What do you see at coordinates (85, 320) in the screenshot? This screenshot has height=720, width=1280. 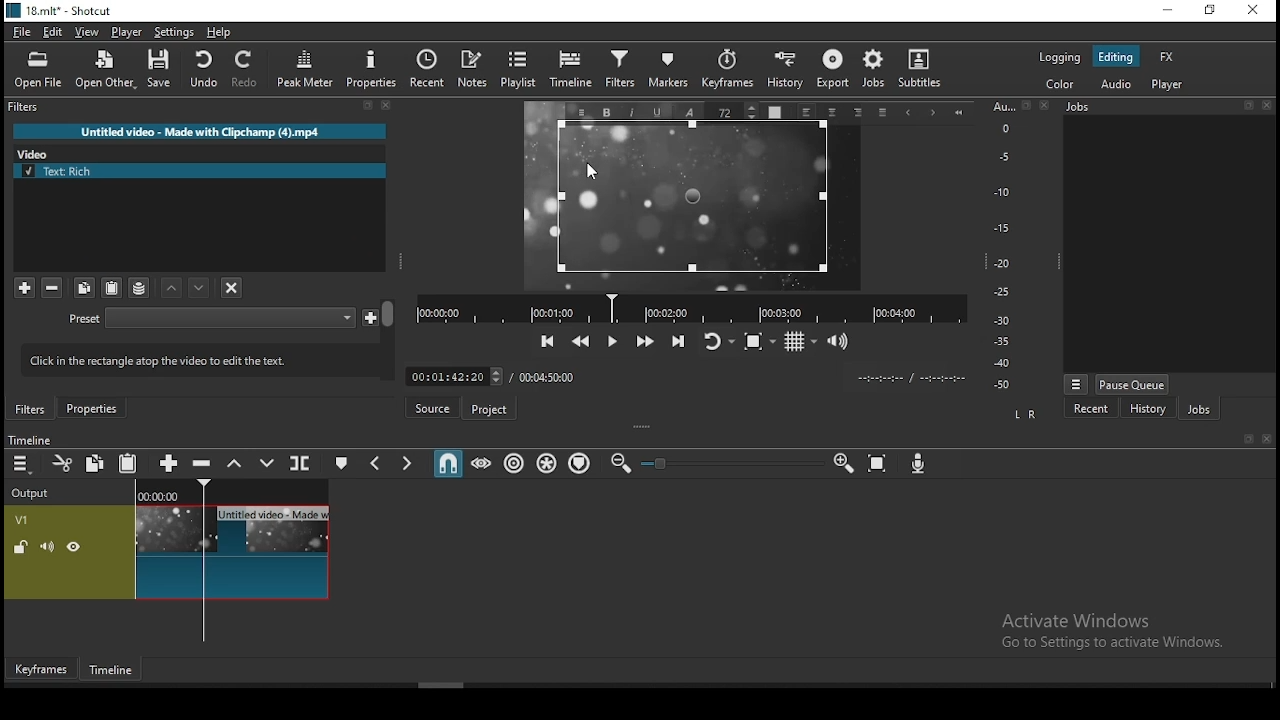 I see `Preset` at bounding box center [85, 320].